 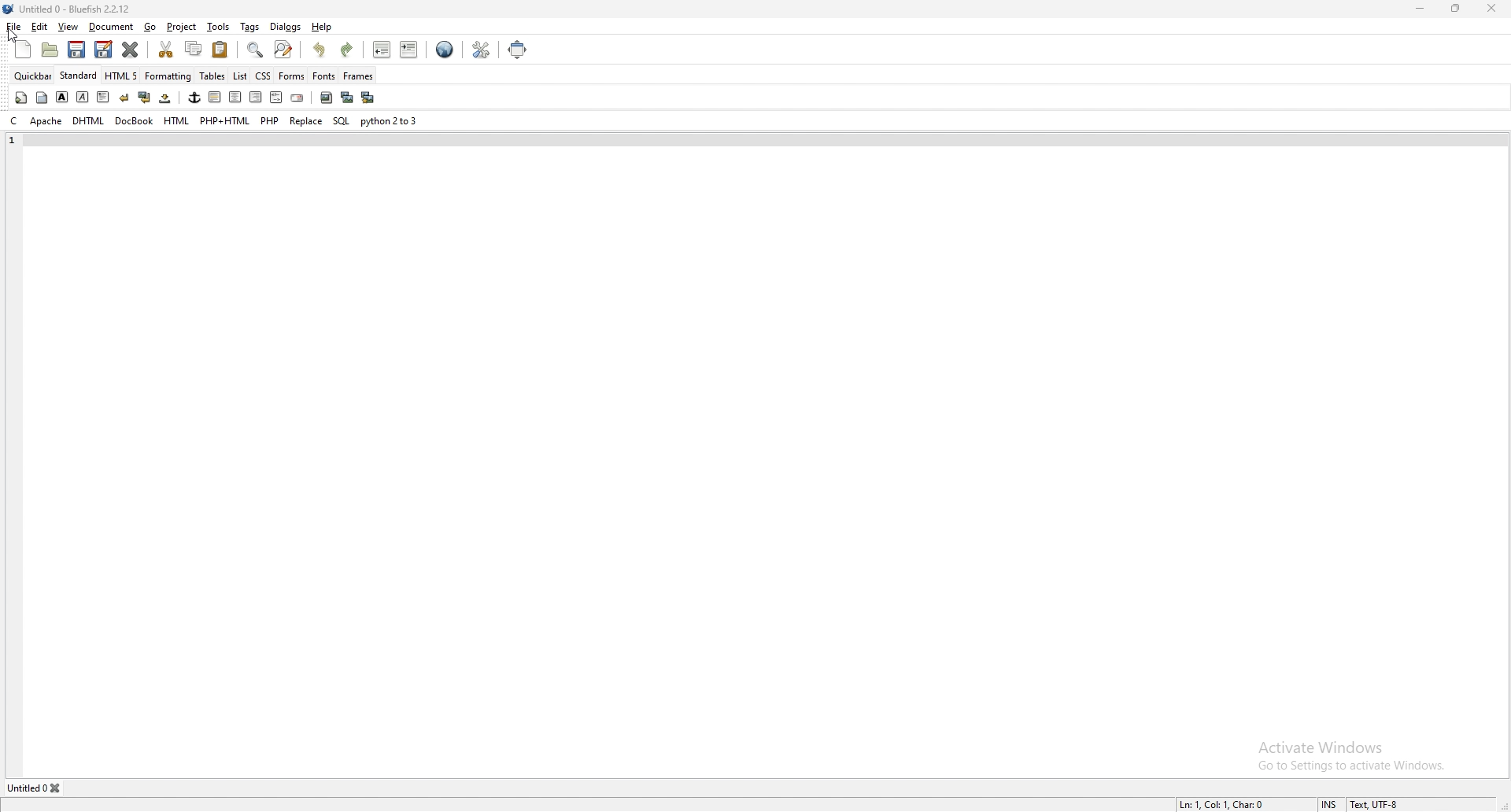 I want to click on advanced find and replace, so click(x=284, y=49).